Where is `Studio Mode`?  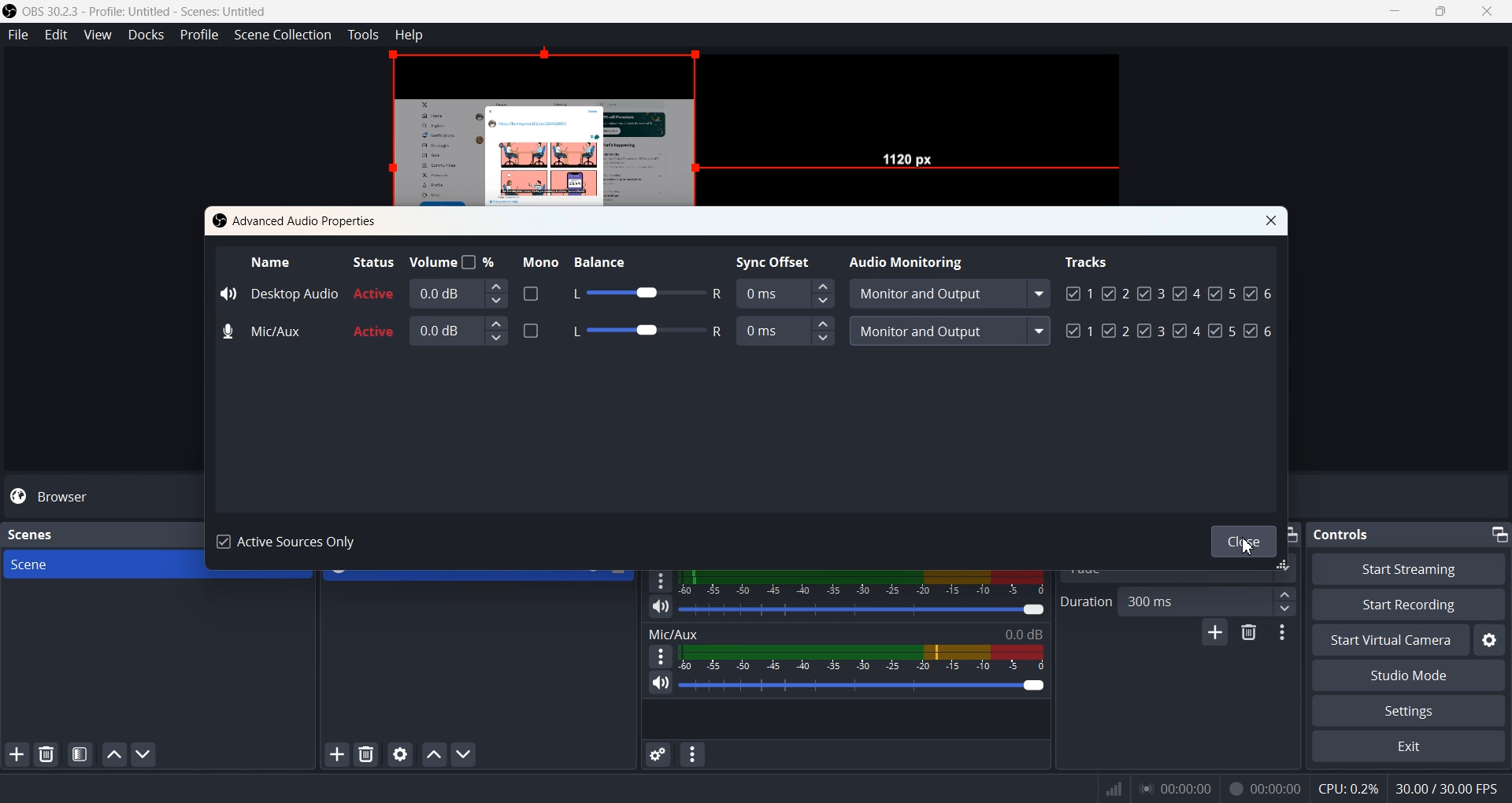 Studio Mode is located at coordinates (1408, 676).